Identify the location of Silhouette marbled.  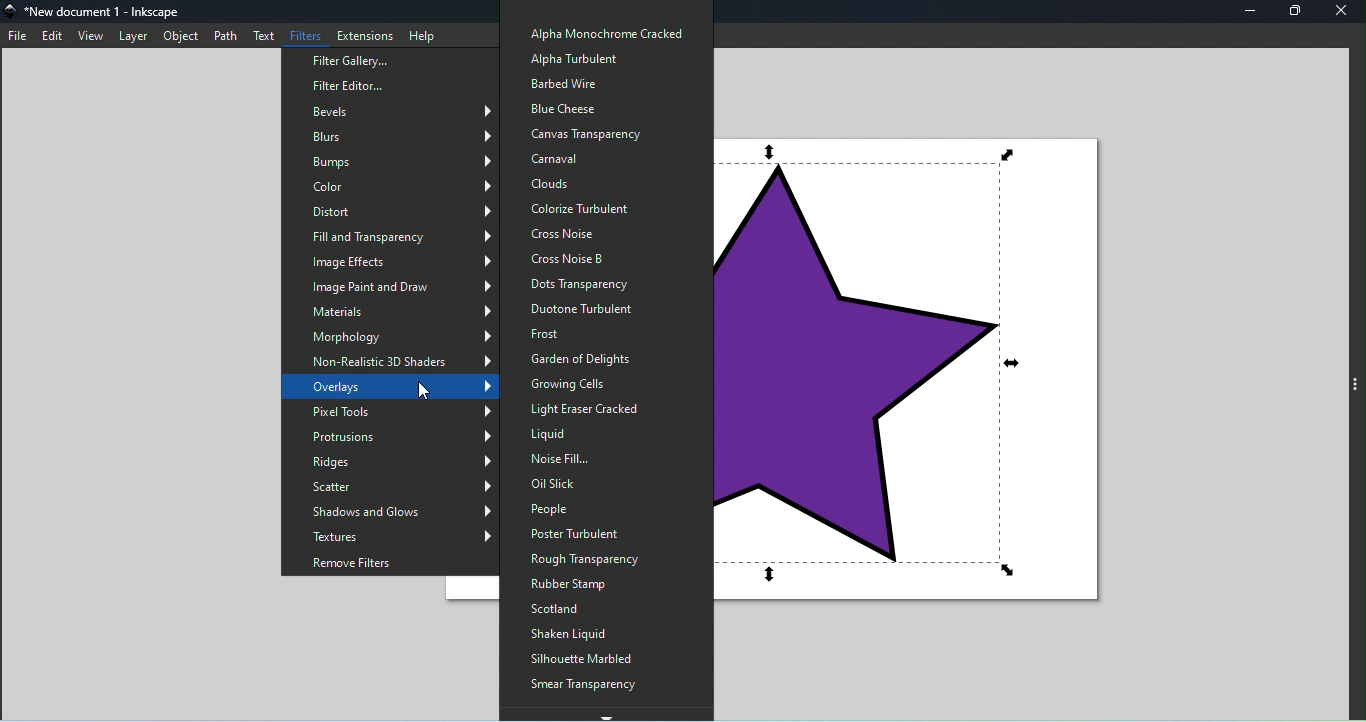
(590, 659).